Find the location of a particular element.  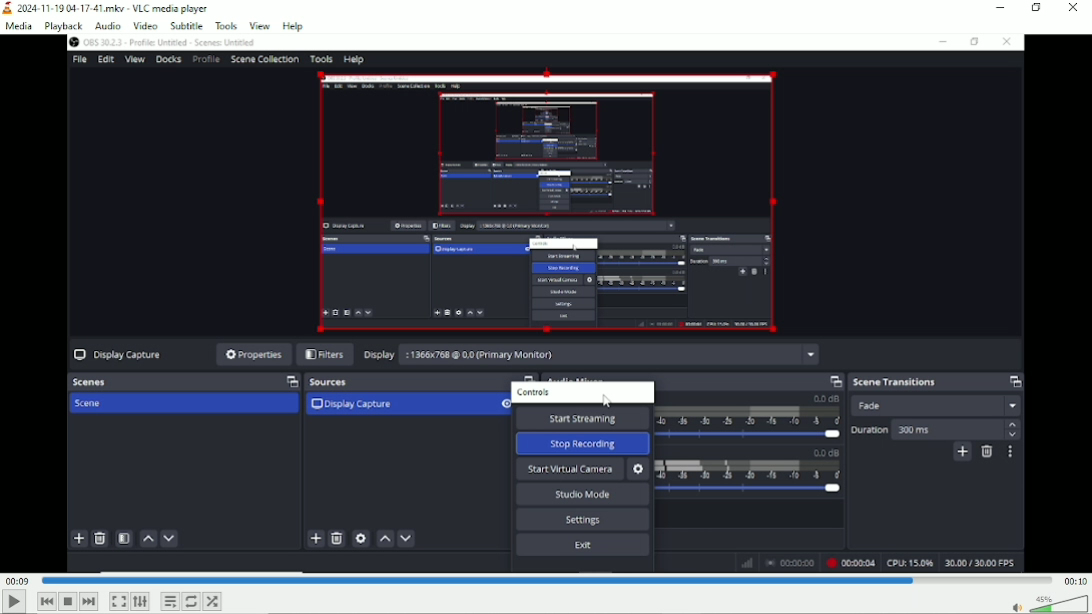

Media is located at coordinates (17, 26).